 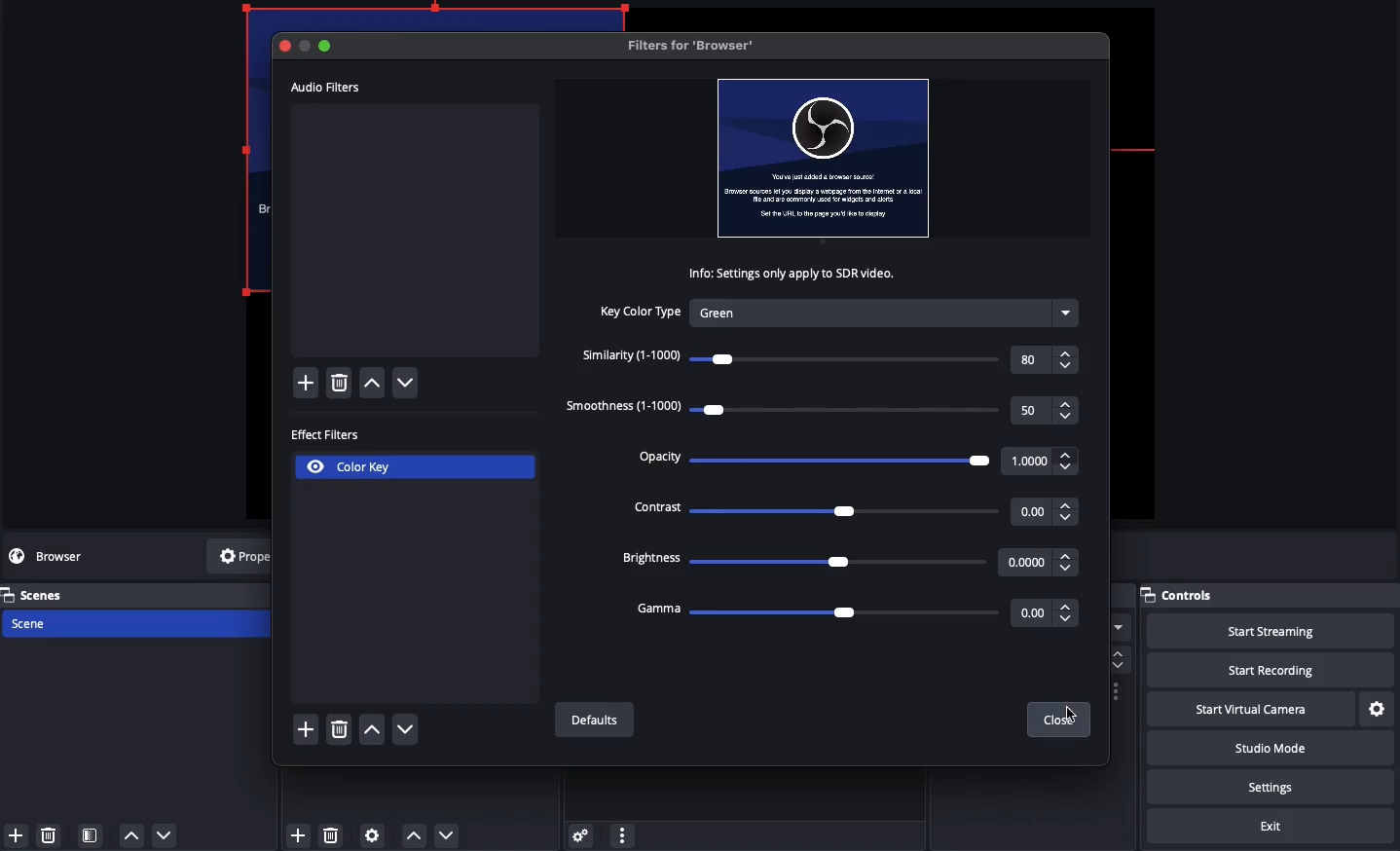 I want to click on scroll, so click(x=1123, y=656).